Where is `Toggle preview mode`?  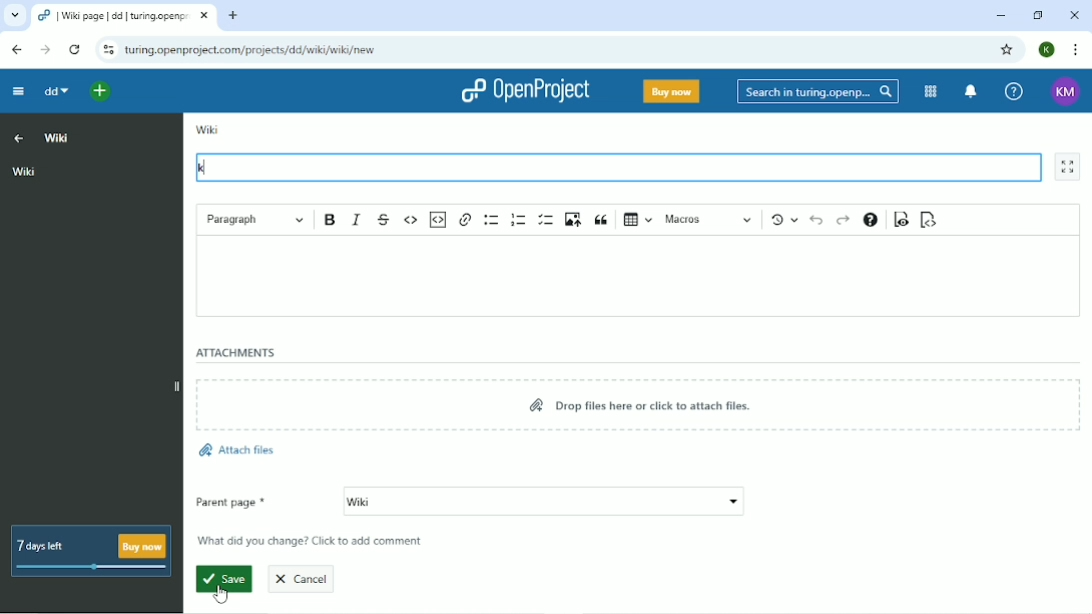
Toggle preview mode is located at coordinates (899, 220).